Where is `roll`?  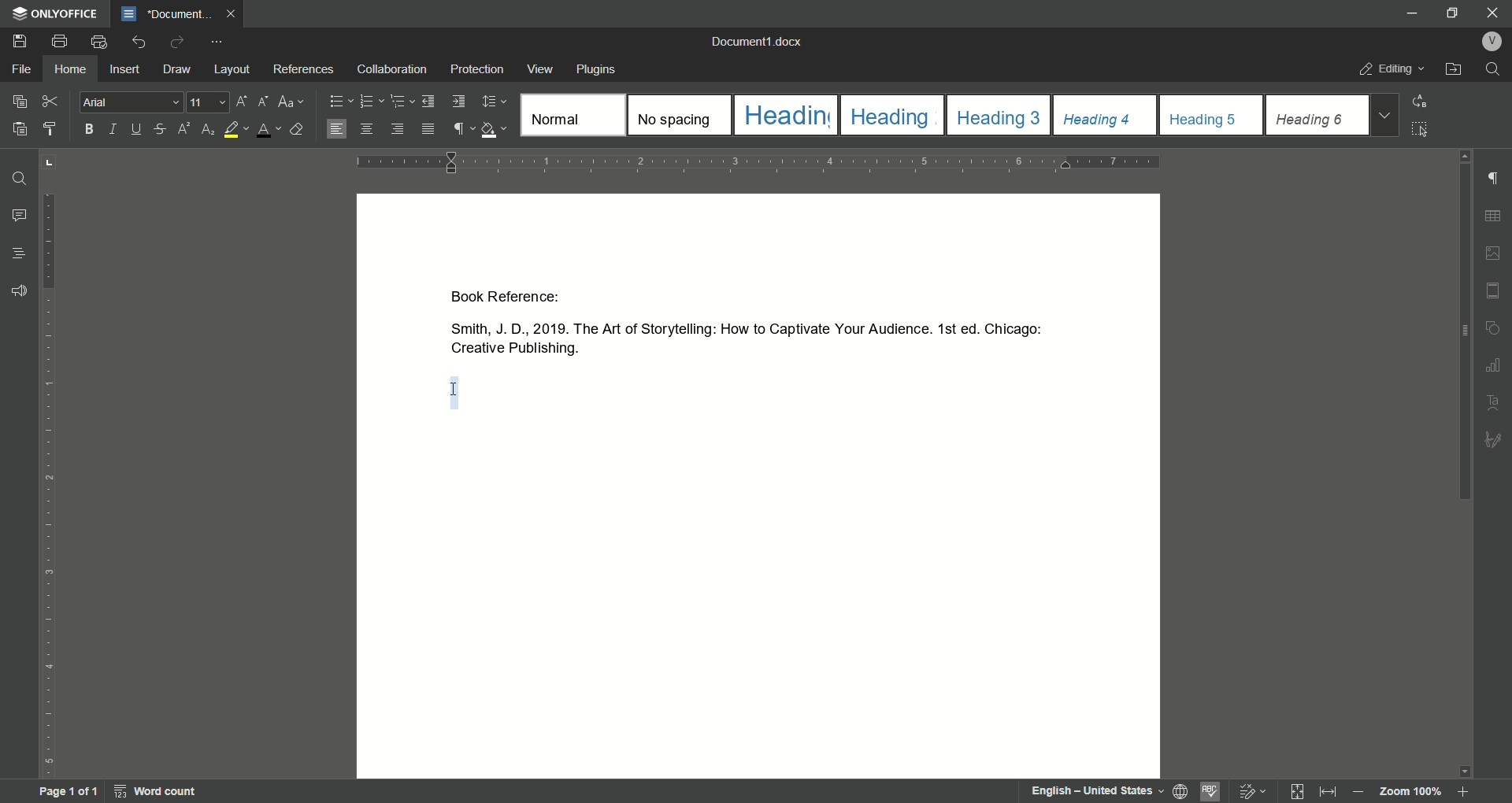 roll is located at coordinates (1466, 157).